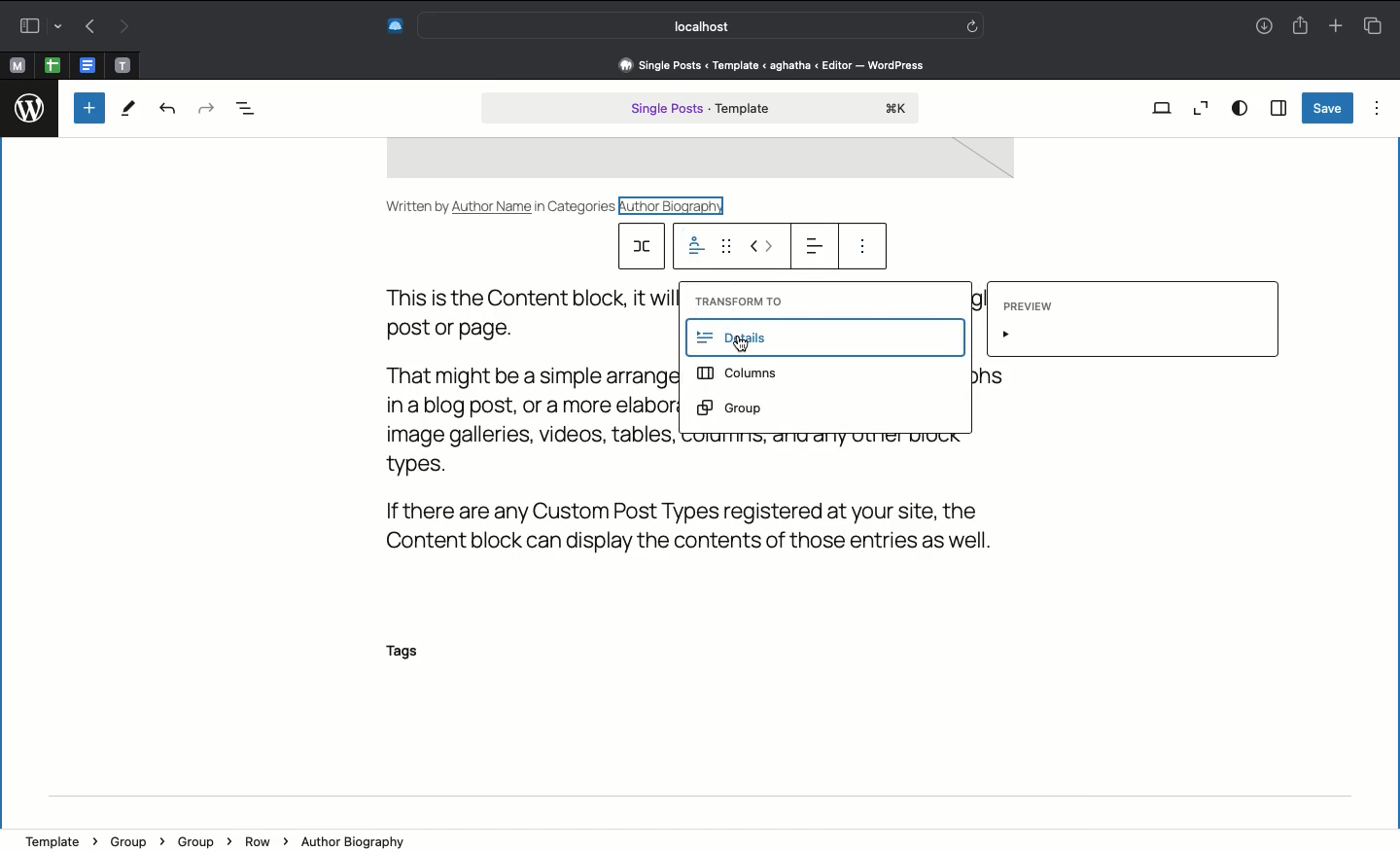  Describe the element at coordinates (1240, 107) in the screenshot. I see `View options` at that location.